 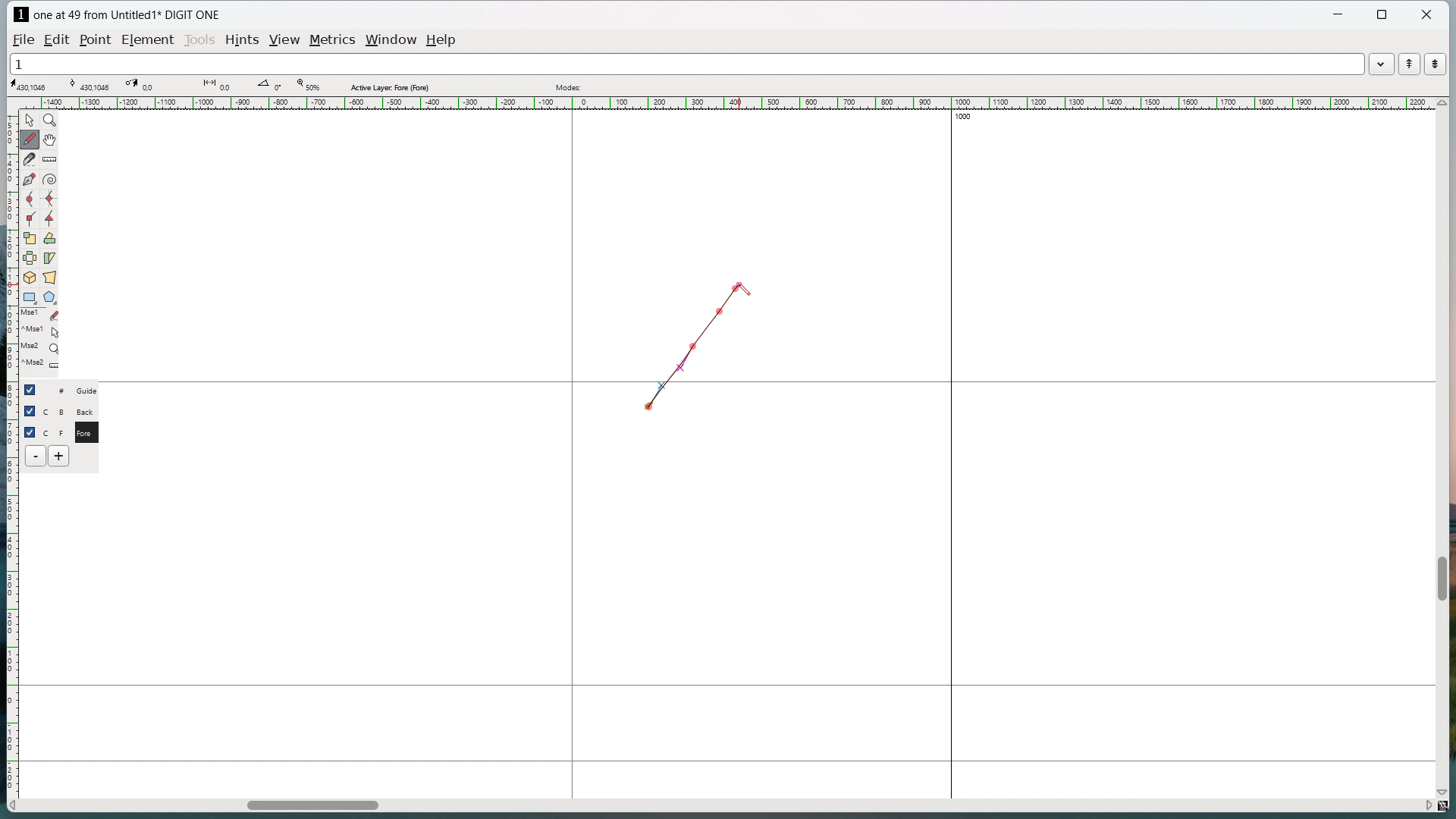 I want to click on add layer, so click(x=60, y=456).